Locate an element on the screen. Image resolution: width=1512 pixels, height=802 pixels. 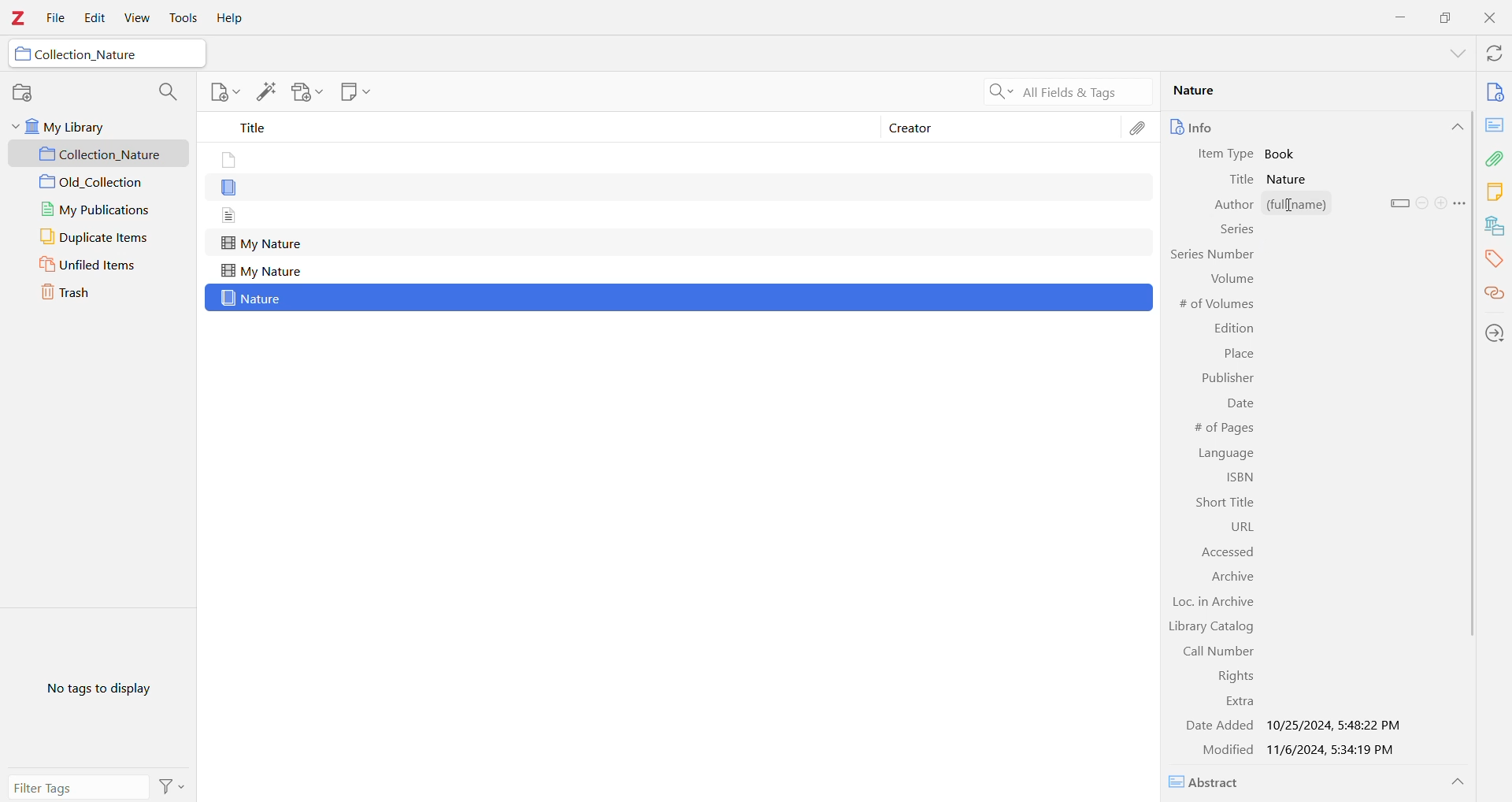
item without title  is located at coordinates (230, 215).